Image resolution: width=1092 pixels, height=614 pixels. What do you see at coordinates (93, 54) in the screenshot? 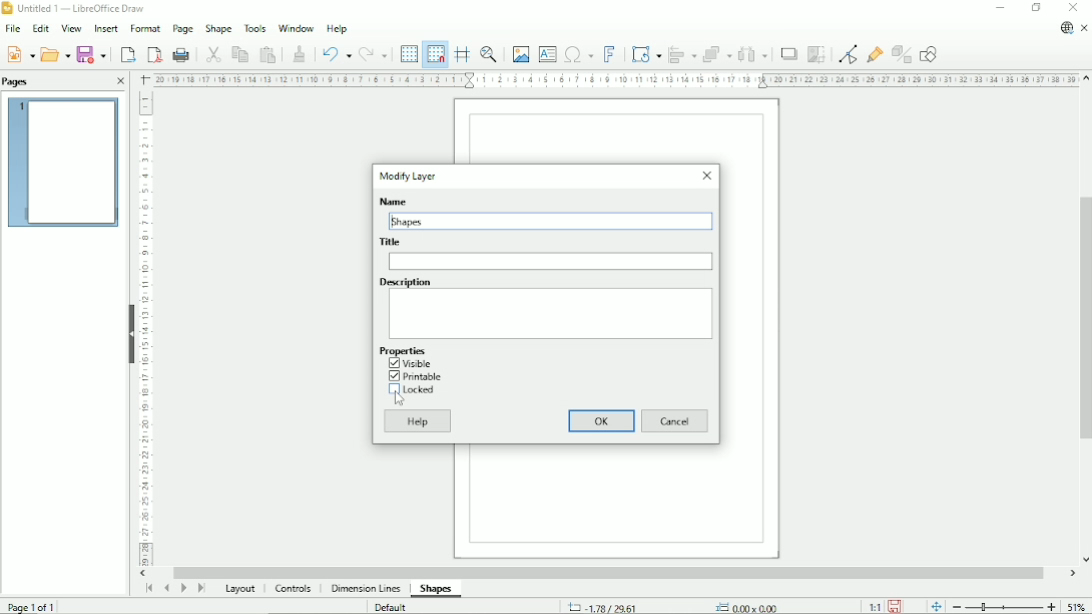
I see `Save` at bounding box center [93, 54].